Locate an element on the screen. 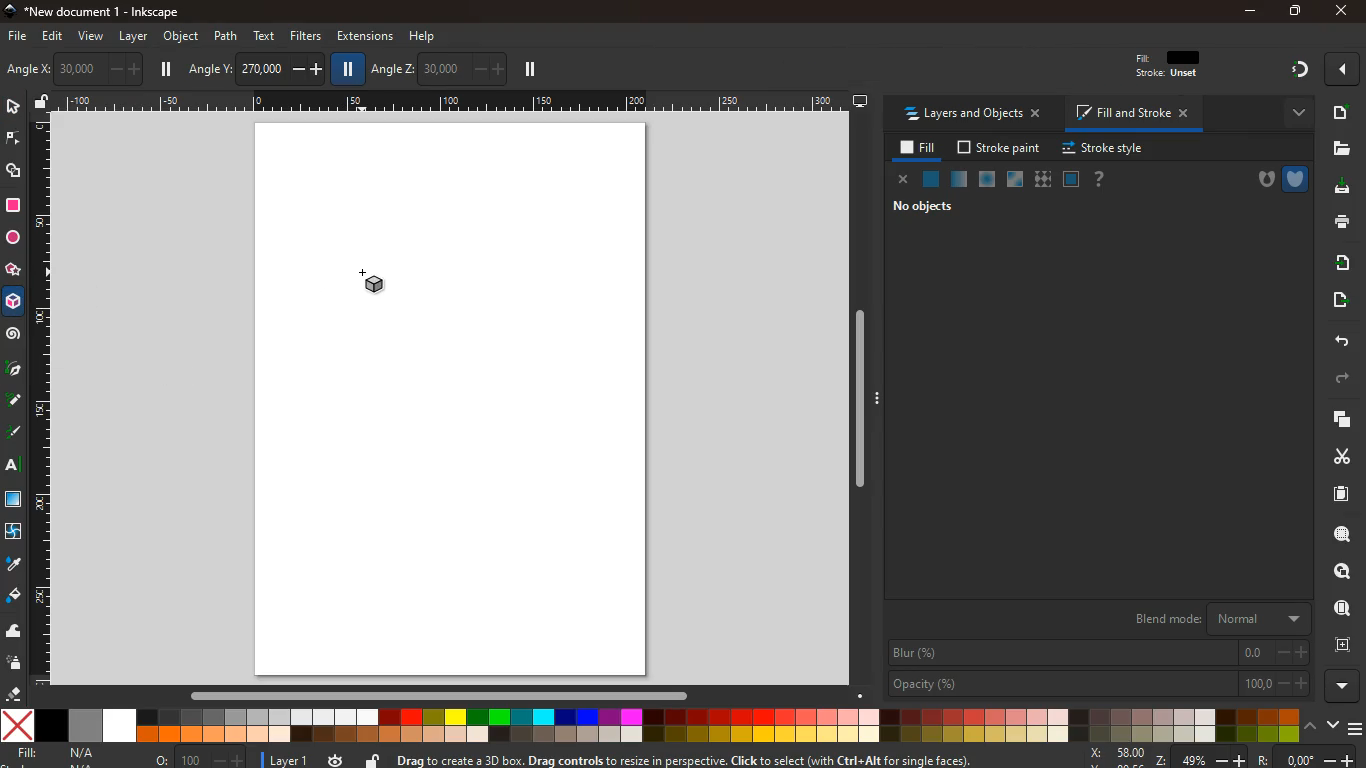  layer is located at coordinates (285, 758).